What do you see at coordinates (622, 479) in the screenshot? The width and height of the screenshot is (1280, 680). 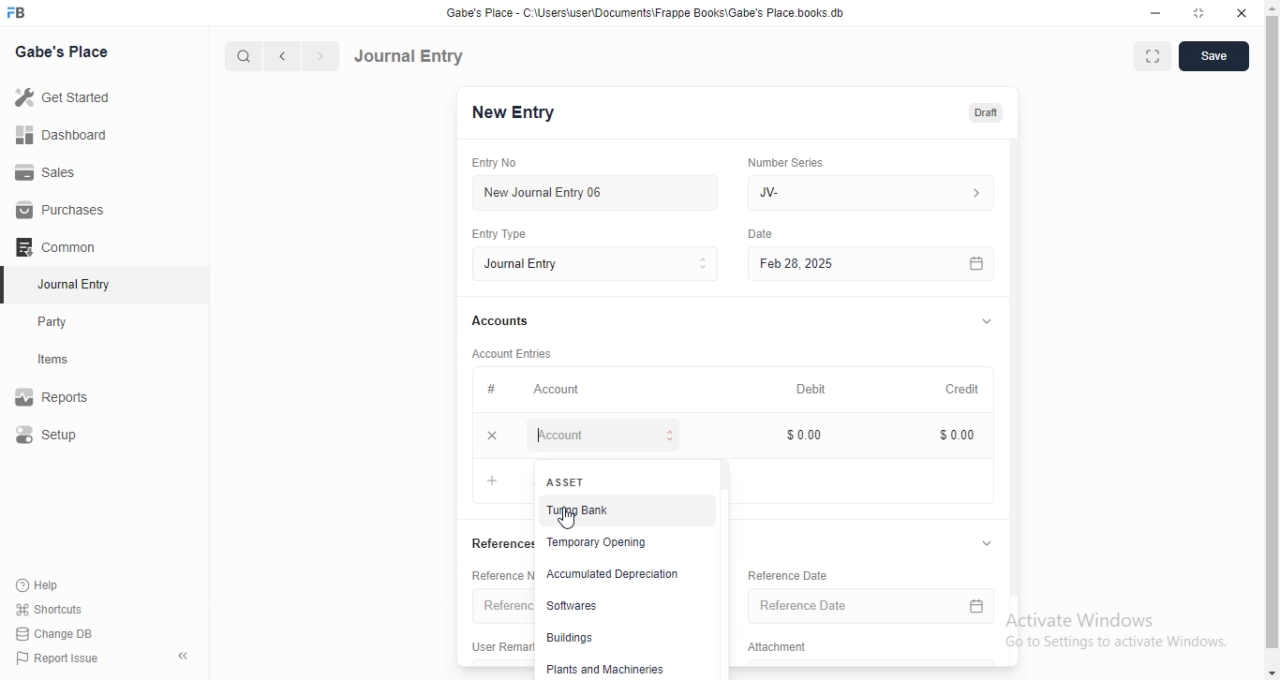 I see `ASSET` at bounding box center [622, 479].